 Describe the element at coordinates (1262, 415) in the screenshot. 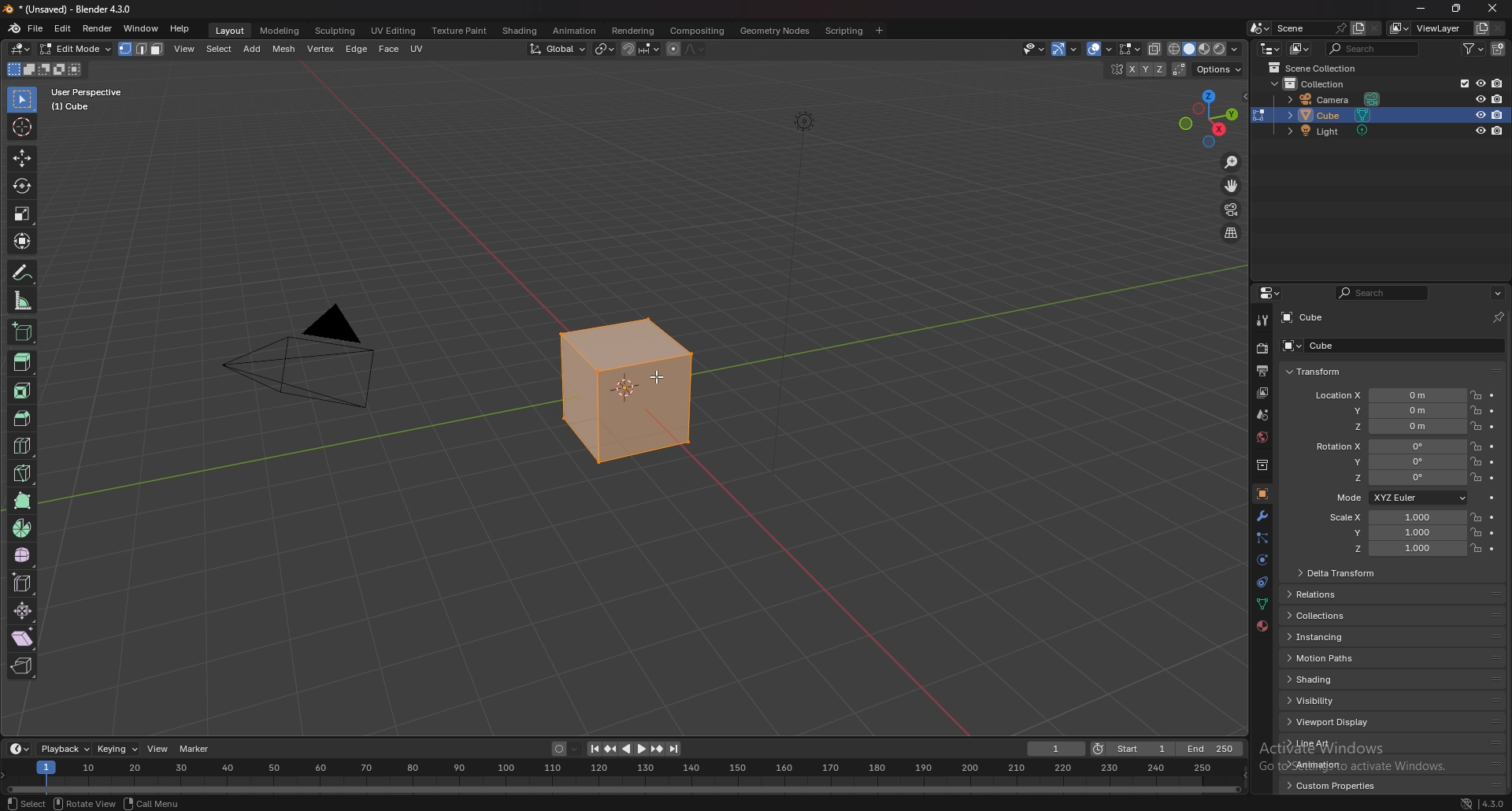

I see `scene` at that location.